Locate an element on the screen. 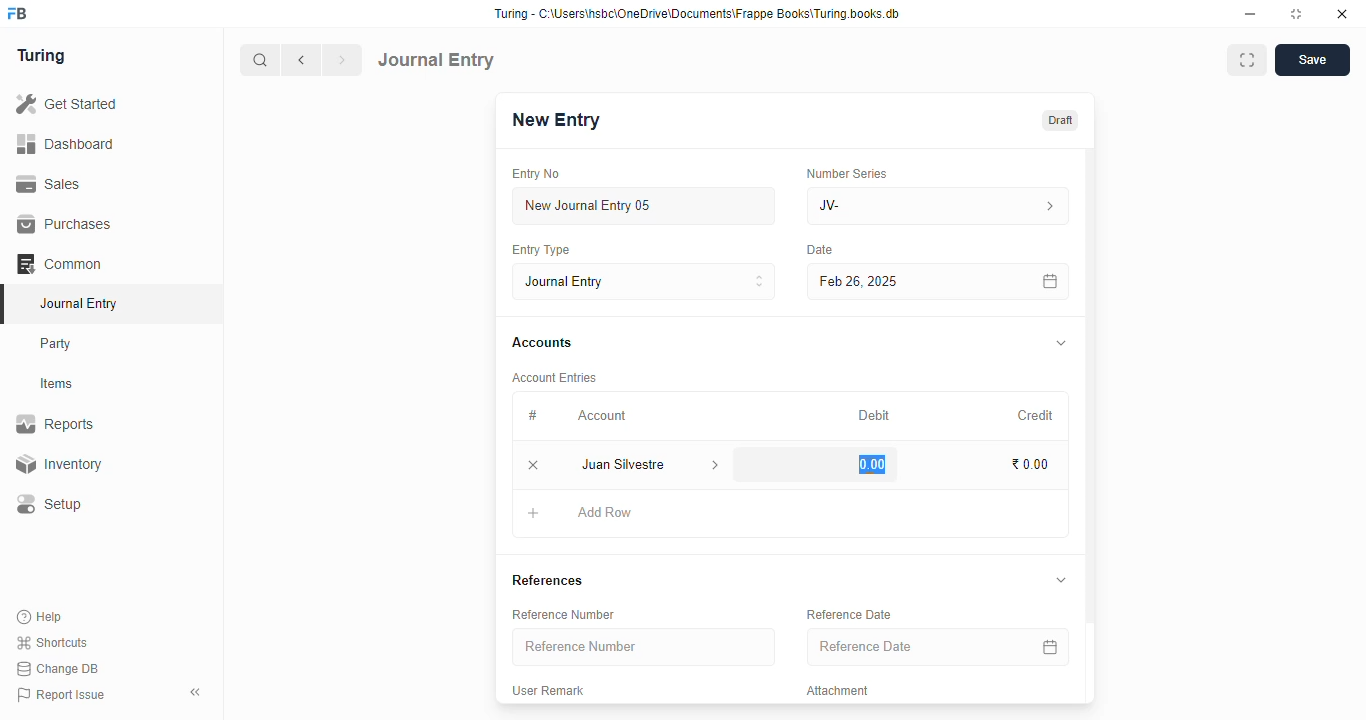 Image resolution: width=1366 pixels, height=720 pixels. debit is located at coordinates (875, 415).